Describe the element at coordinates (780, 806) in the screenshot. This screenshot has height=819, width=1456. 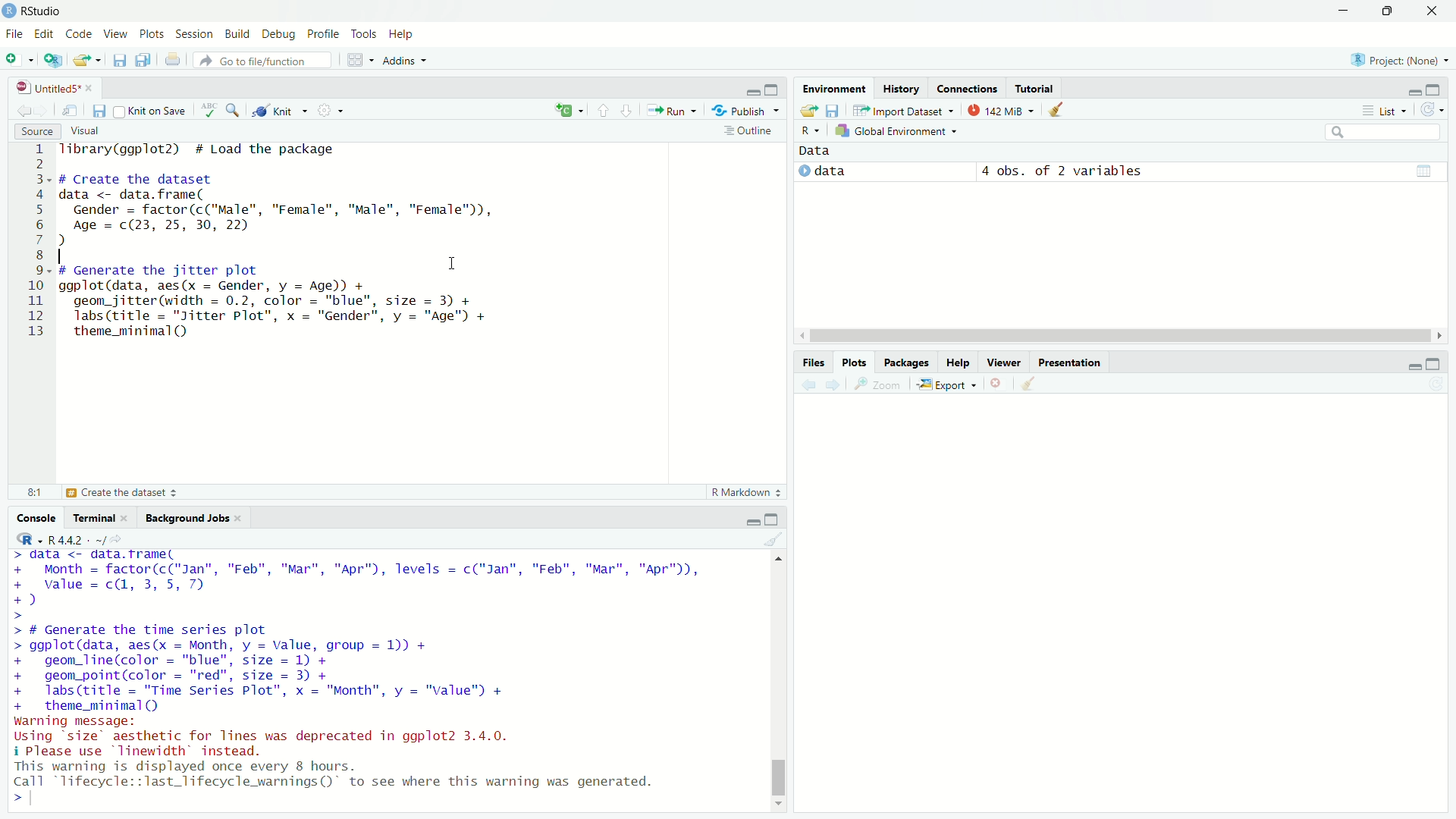
I see `move down ` at that location.